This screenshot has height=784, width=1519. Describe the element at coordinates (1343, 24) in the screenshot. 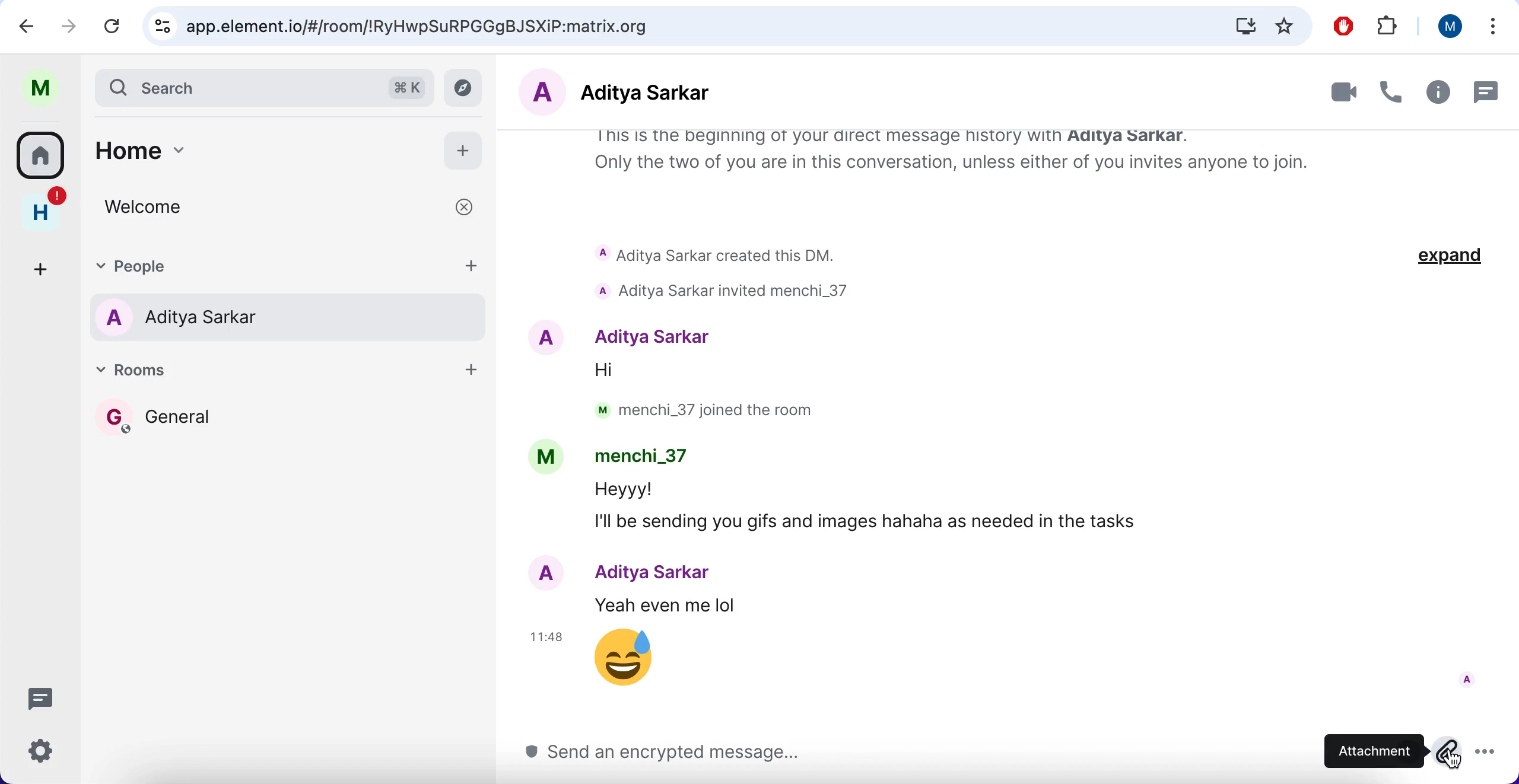

I see `ad block` at that location.